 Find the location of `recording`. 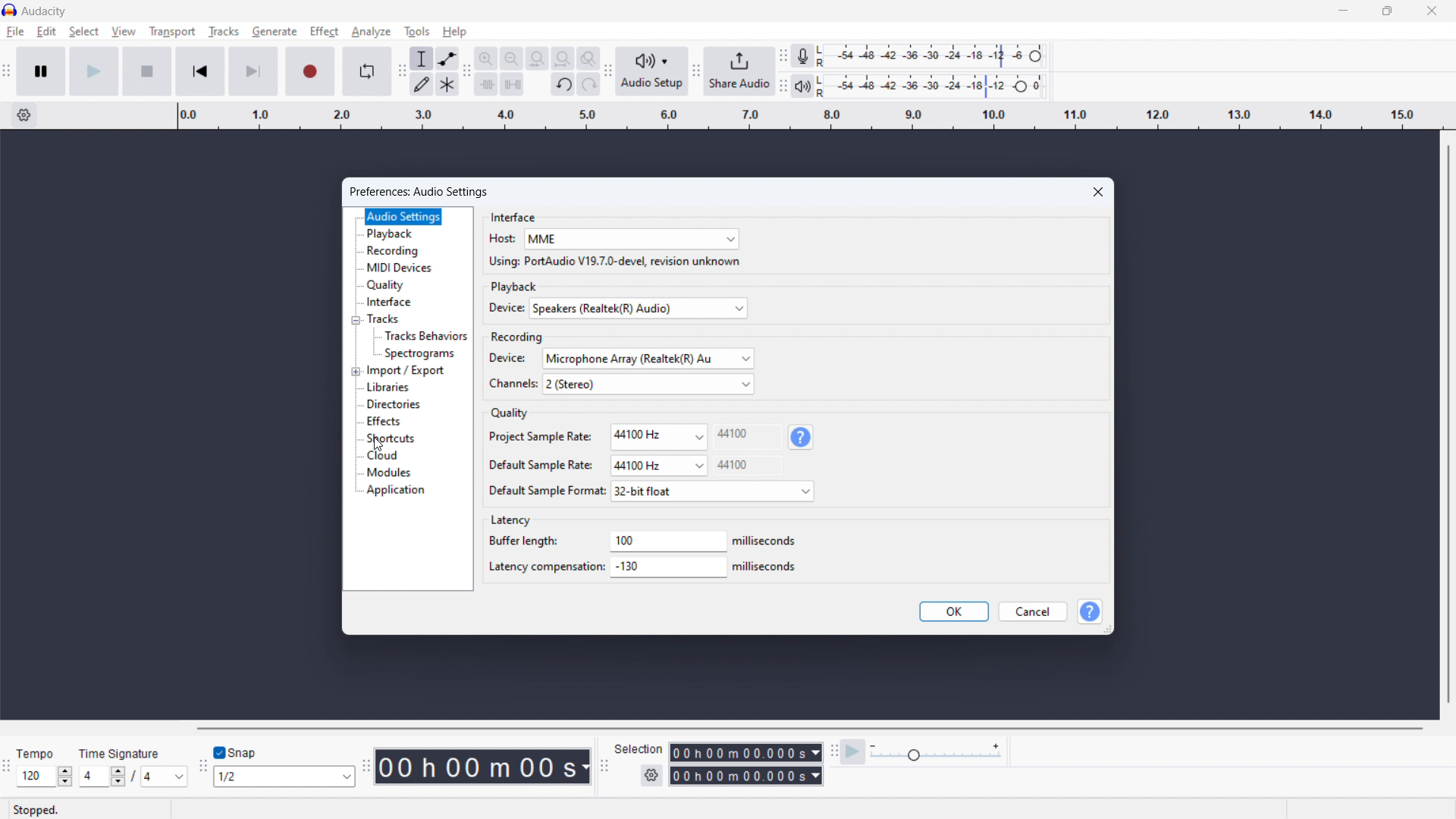

recording is located at coordinates (518, 337).